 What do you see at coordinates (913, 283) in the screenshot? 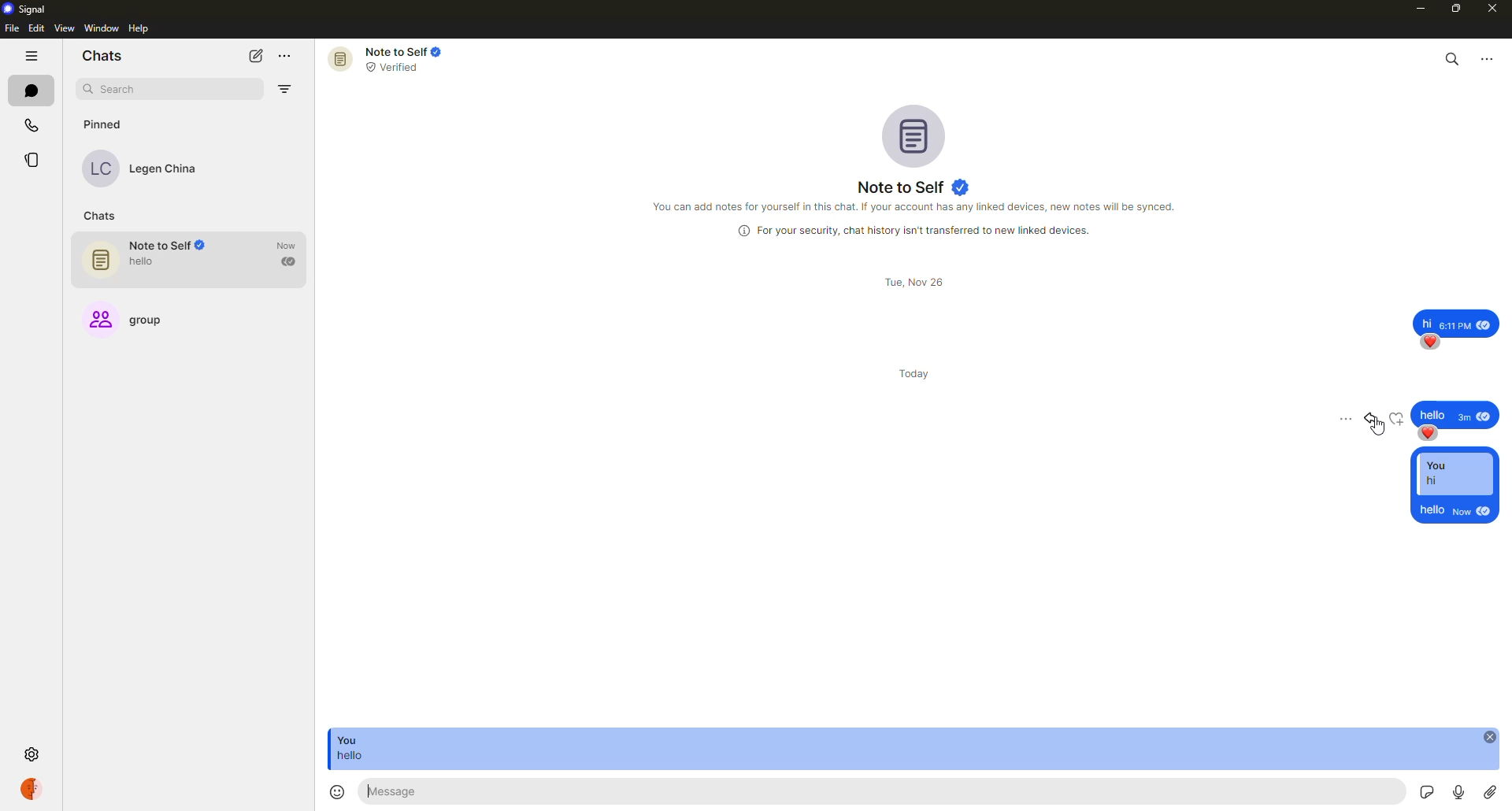
I see `day` at bounding box center [913, 283].